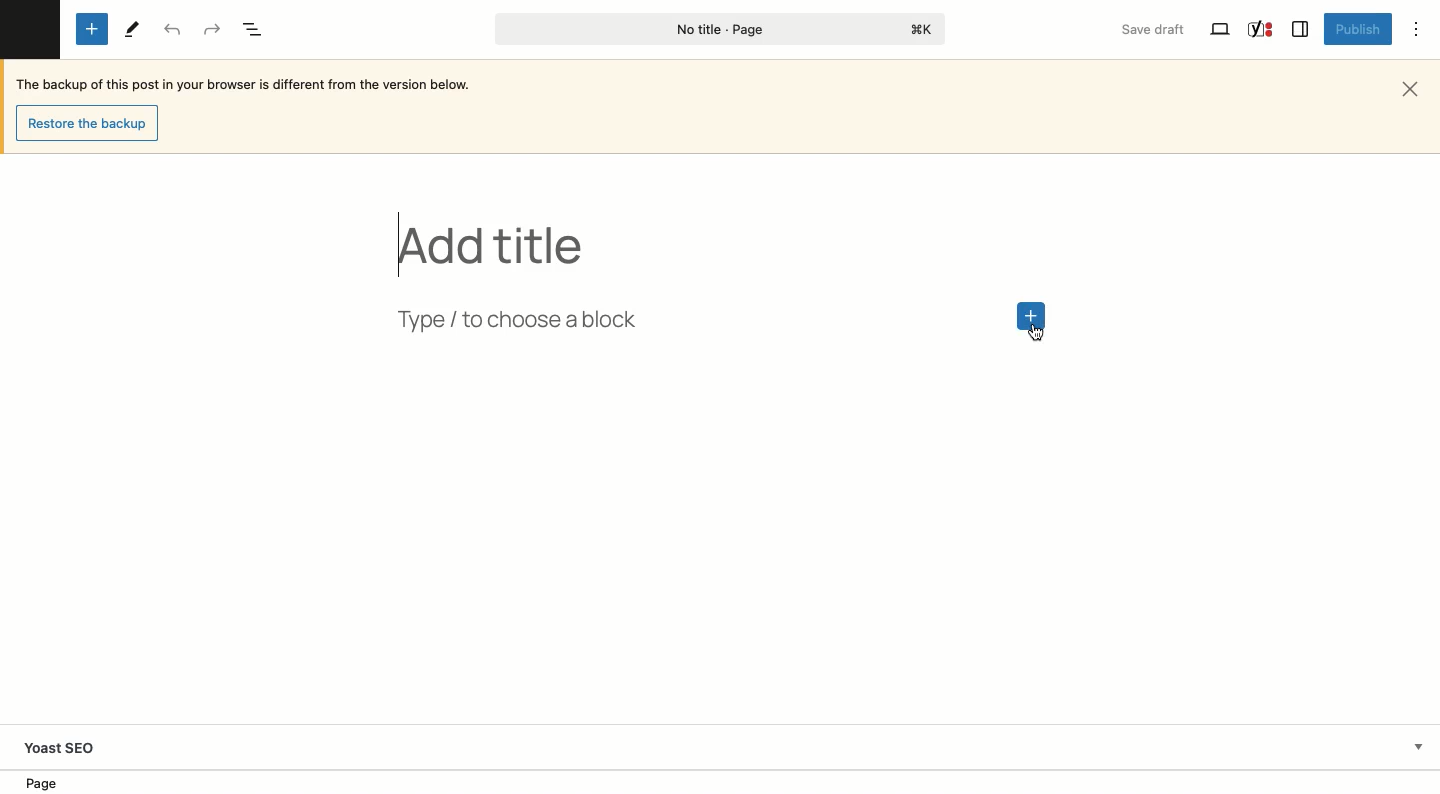 The height and width of the screenshot is (794, 1440). I want to click on Redo, so click(216, 28).